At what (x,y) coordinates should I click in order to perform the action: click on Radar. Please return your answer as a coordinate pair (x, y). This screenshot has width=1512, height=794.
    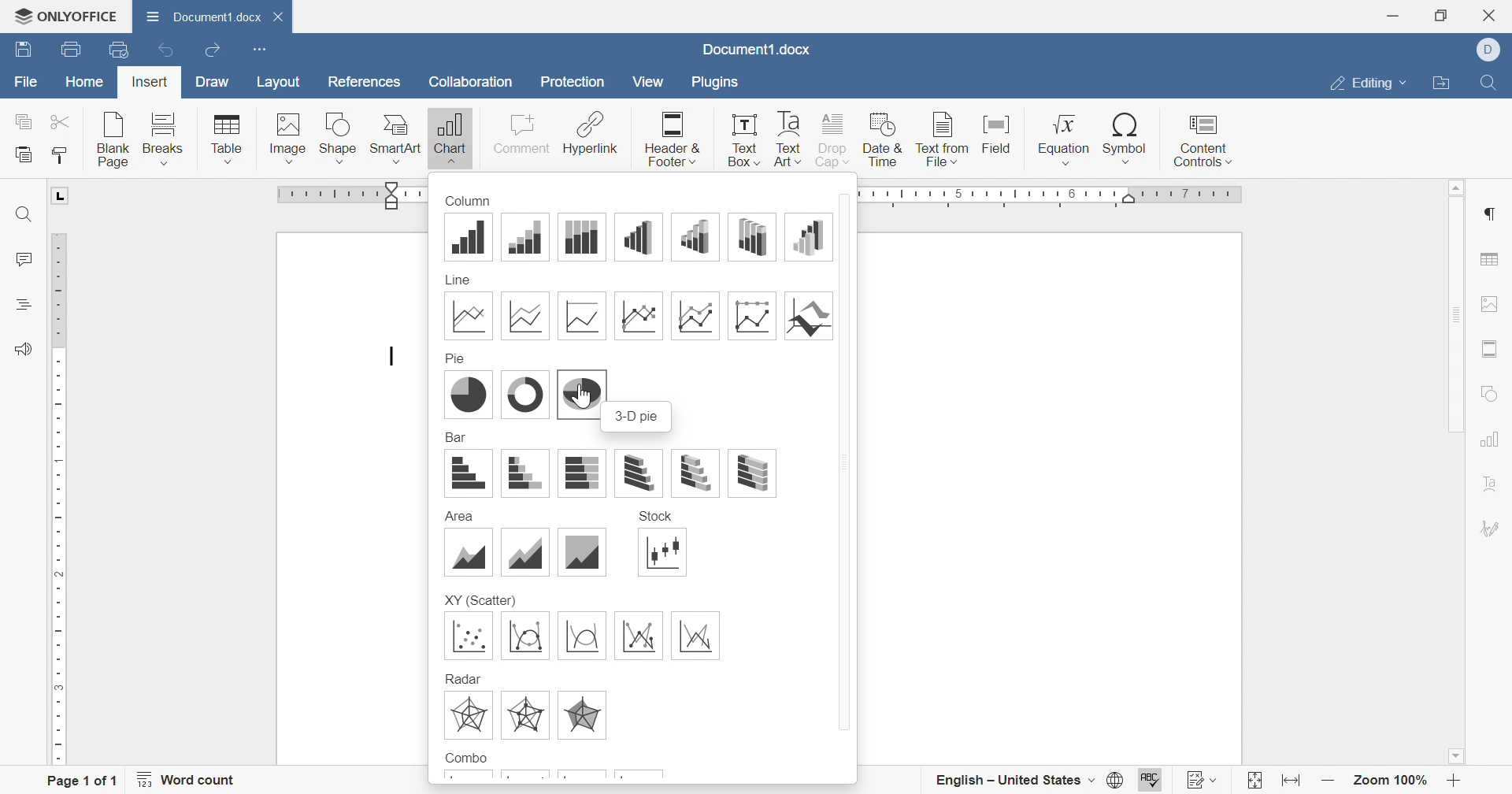
    Looking at the image, I should click on (464, 677).